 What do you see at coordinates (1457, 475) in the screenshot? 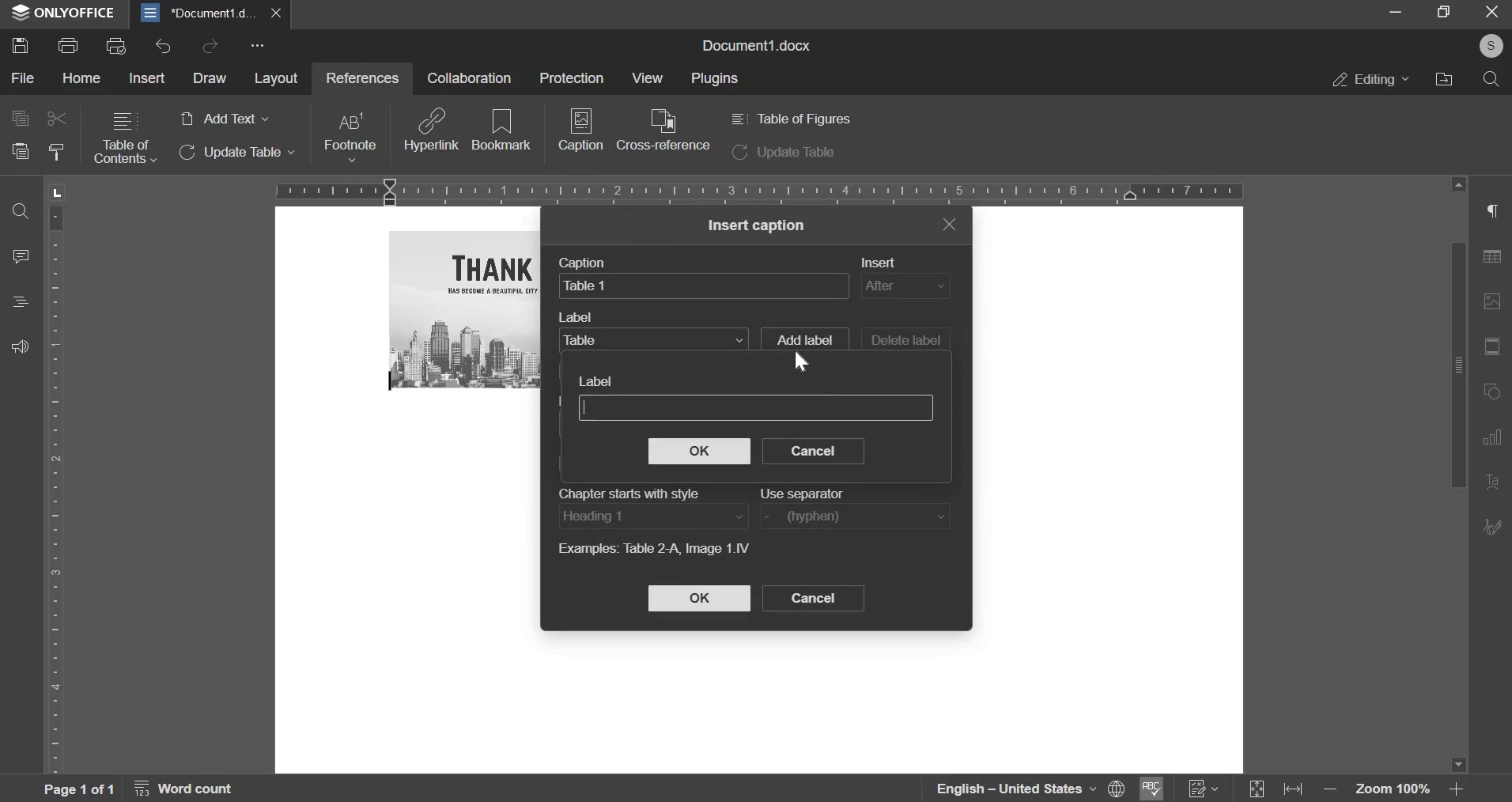
I see `vertical slider` at bounding box center [1457, 475].